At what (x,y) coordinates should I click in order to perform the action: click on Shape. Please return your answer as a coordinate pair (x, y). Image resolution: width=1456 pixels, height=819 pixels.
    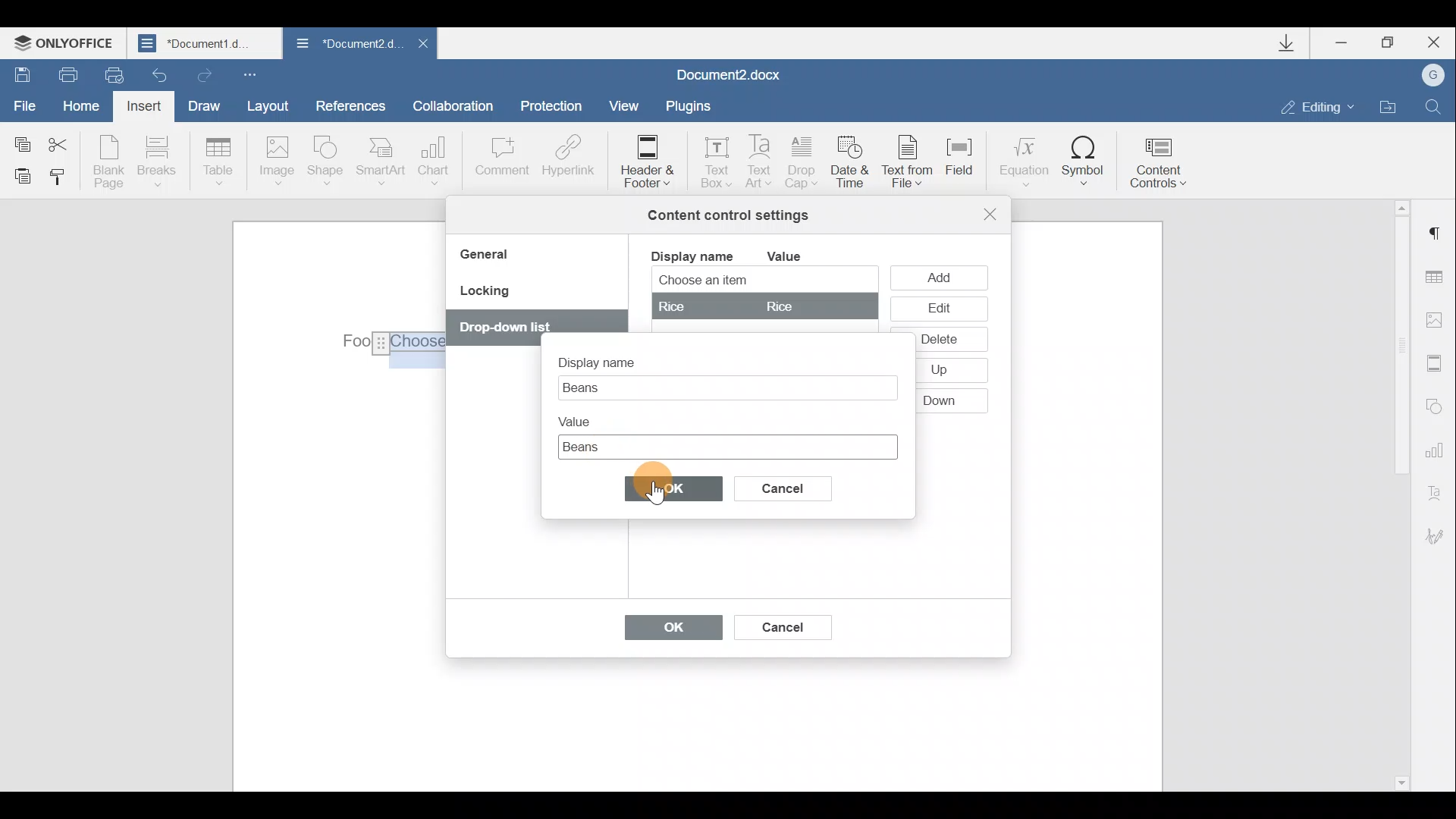
    Looking at the image, I should click on (328, 163).